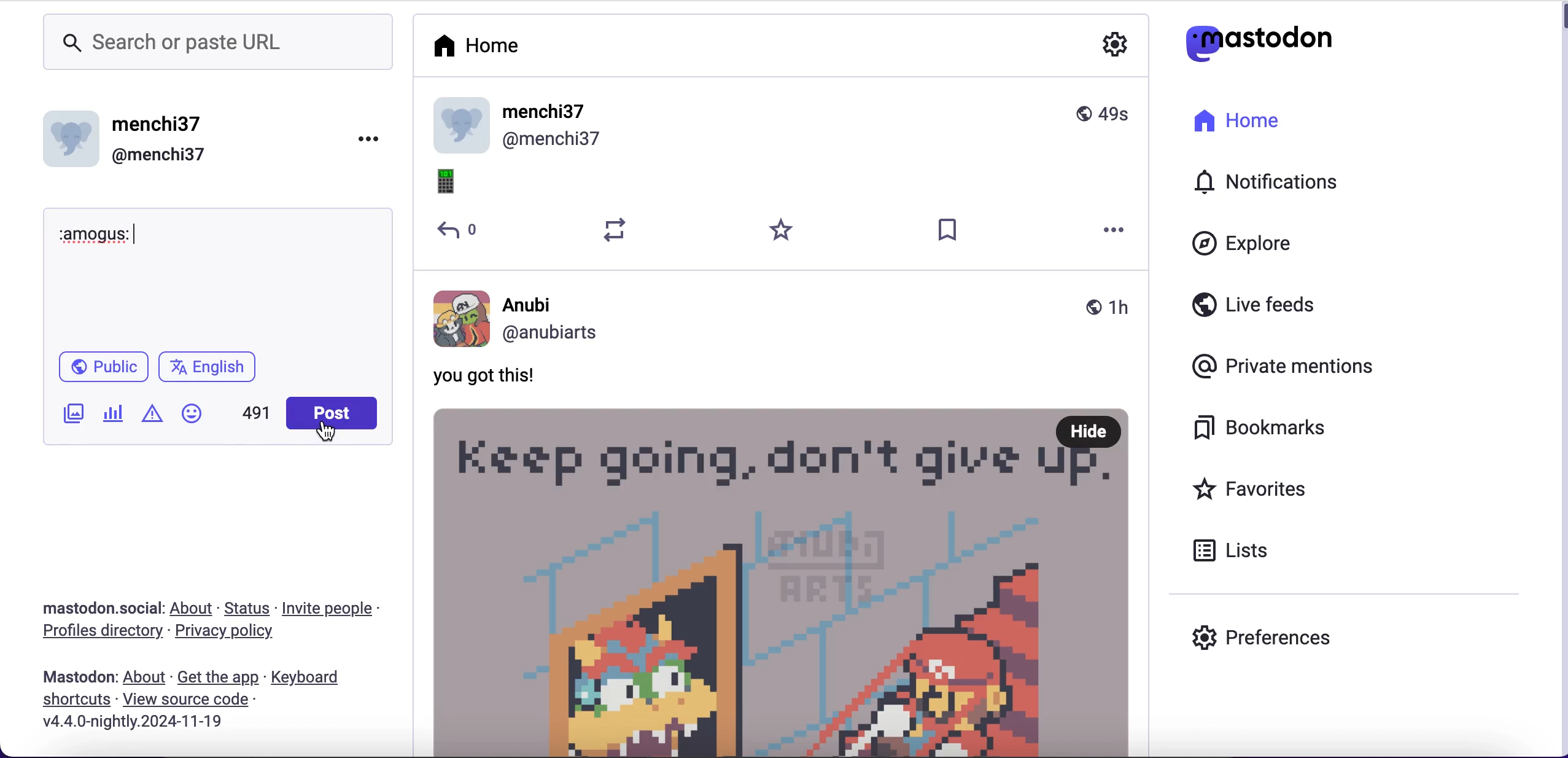 This screenshot has width=1568, height=758. I want to click on cursor, so click(325, 433).